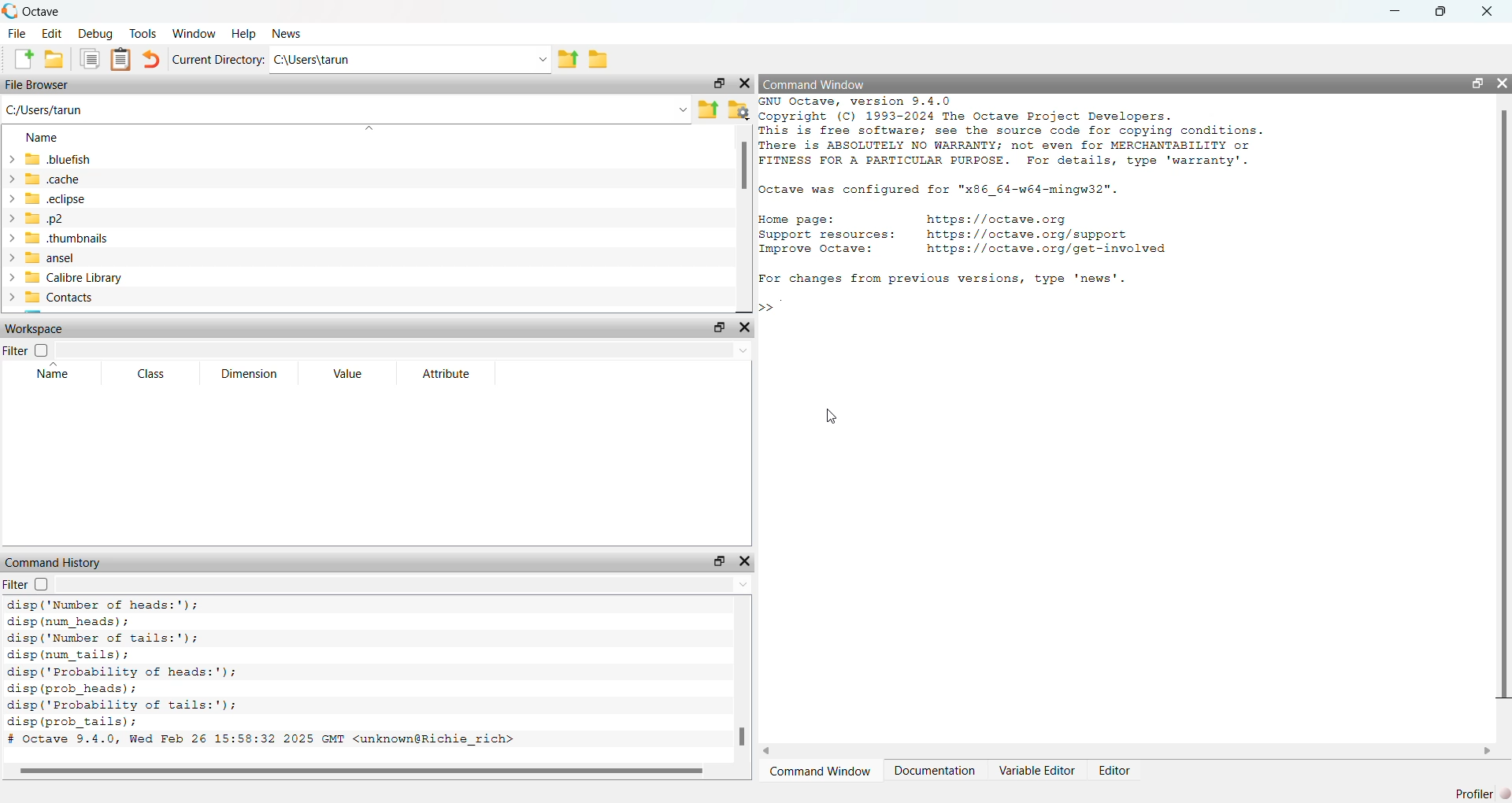 Image resolution: width=1512 pixels, height=803 pixels. Describe the element at coordinates (683, 110) in the screenshot. I see `Enter the path or filename` at that location.